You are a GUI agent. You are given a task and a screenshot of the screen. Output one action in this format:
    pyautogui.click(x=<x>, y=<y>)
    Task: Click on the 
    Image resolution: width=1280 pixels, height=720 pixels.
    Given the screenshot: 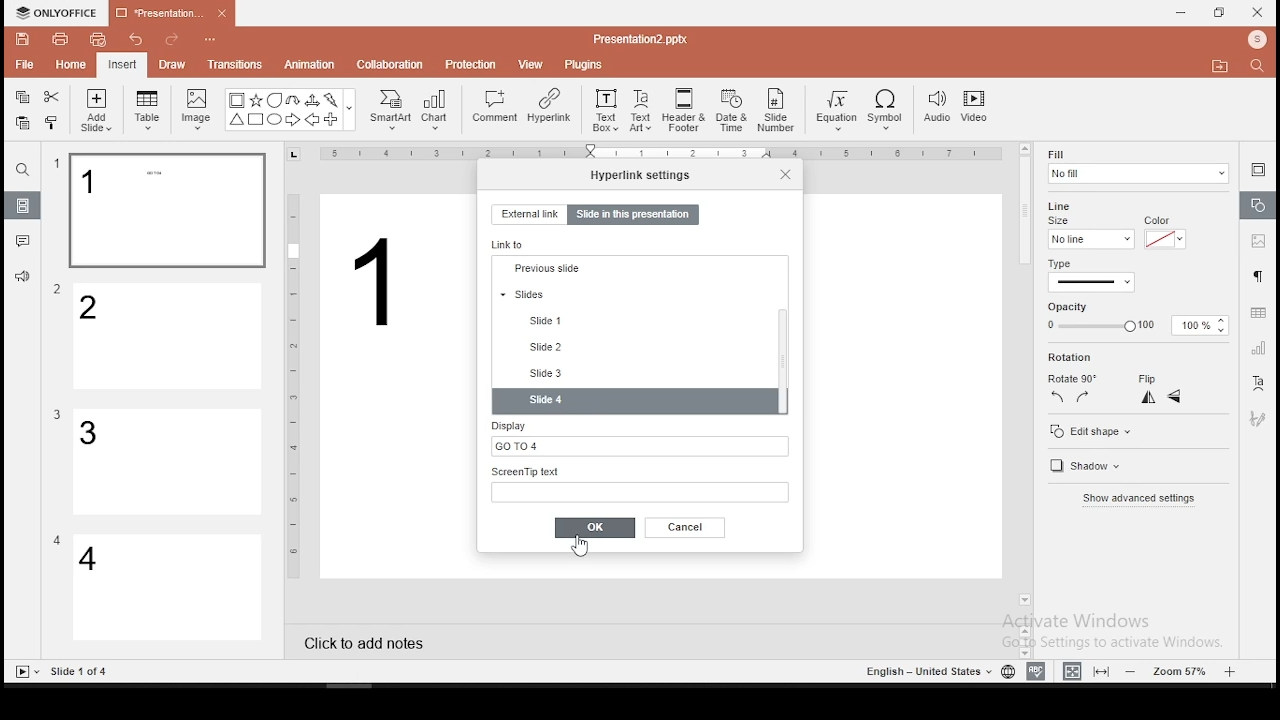 What is the action you would take?
    pyautogui.click(x=211, y=40)
    